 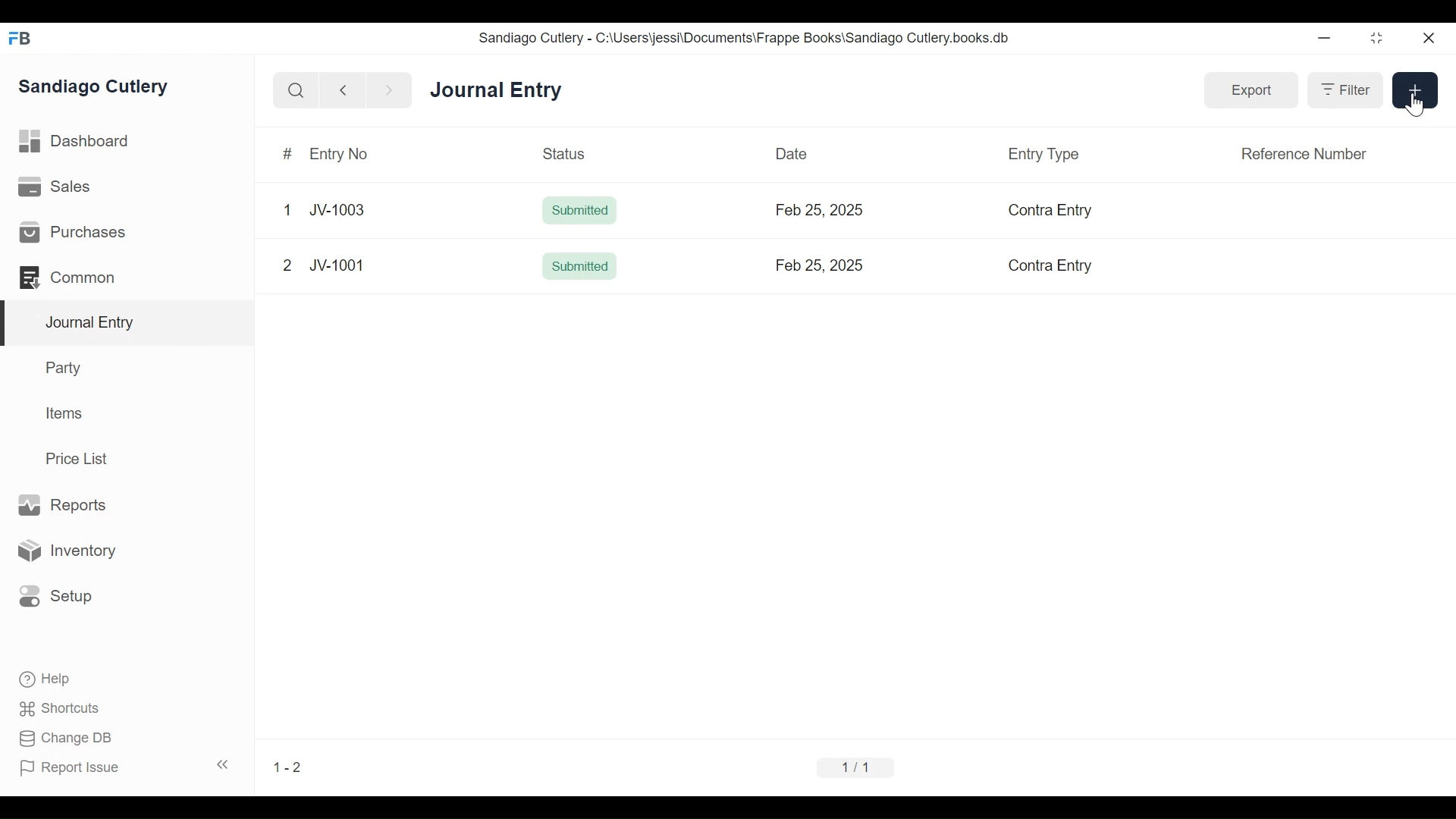 I want to click on Change DB, so click(x=64, y=739).